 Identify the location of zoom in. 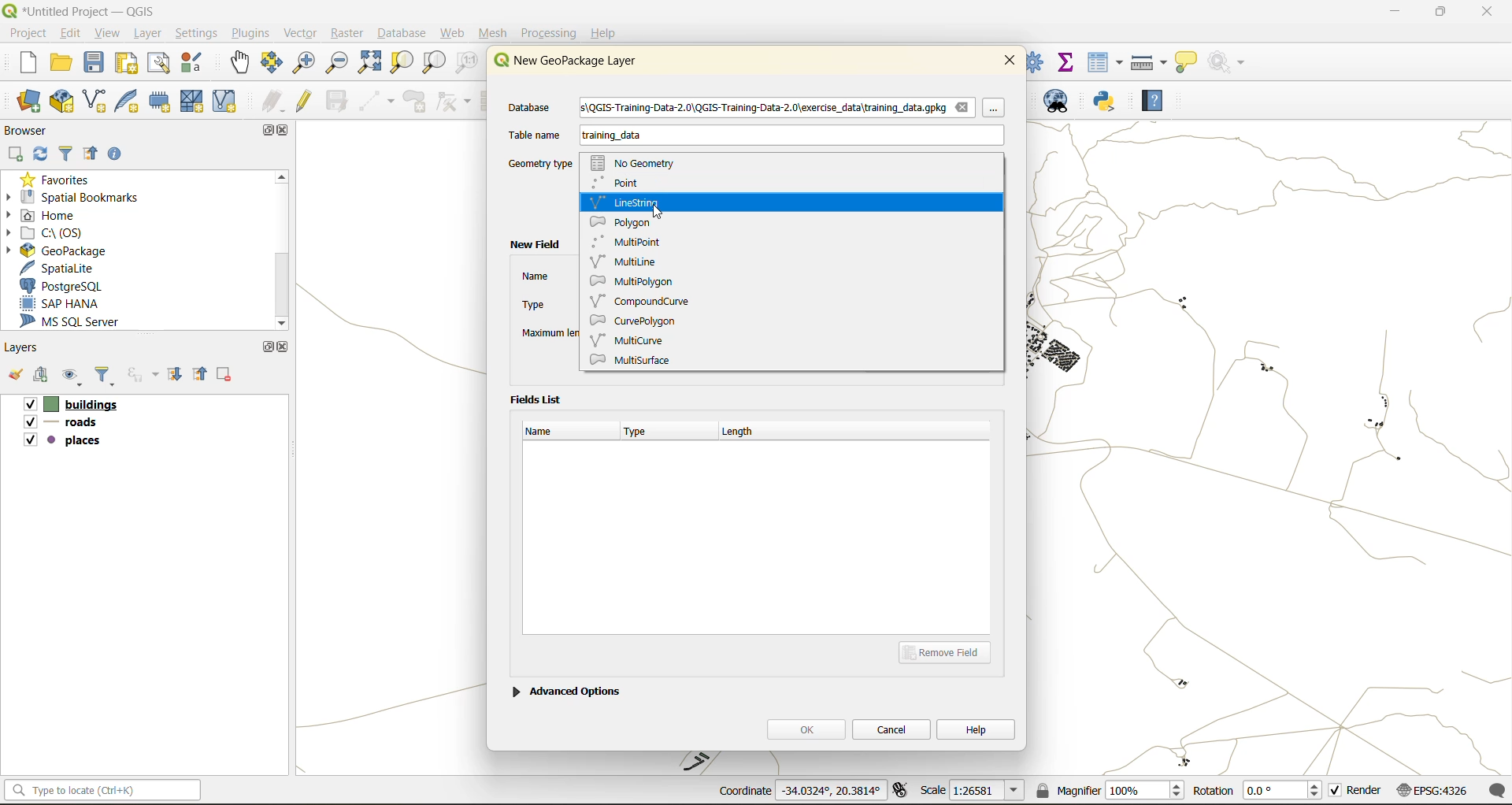
(302, 61).